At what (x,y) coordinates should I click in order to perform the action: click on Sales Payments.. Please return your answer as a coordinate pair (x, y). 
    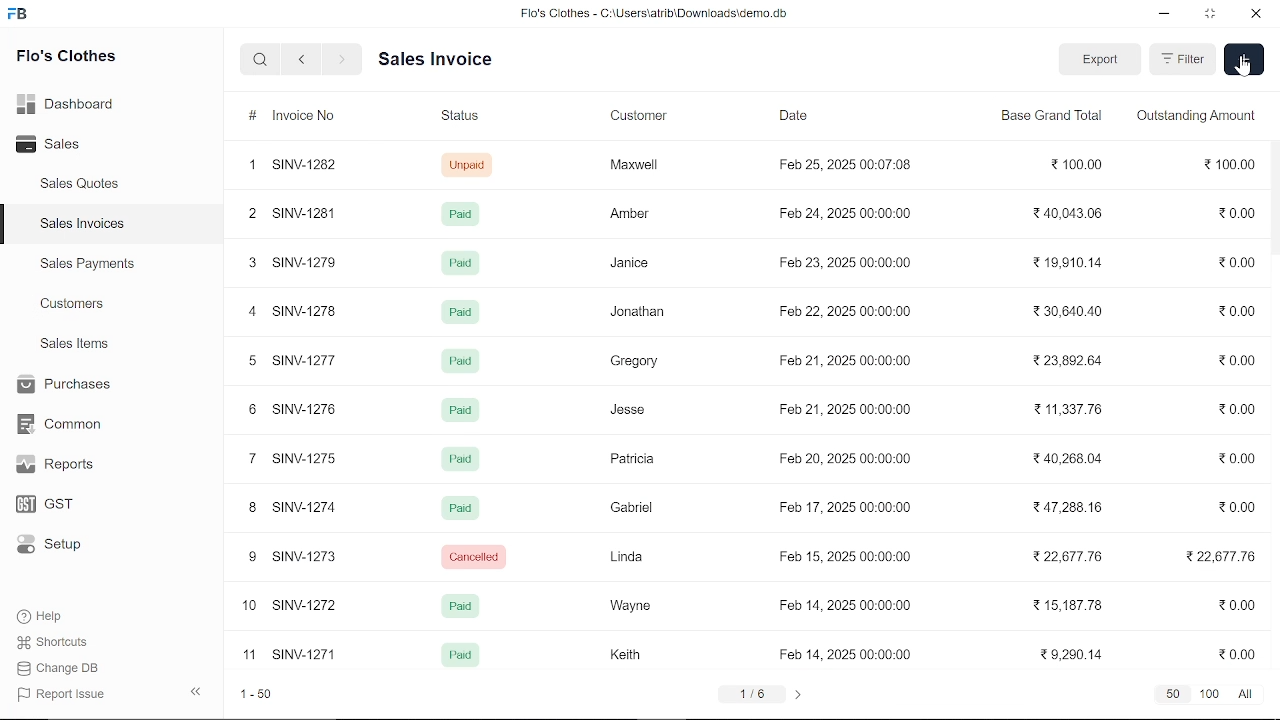
    Looking at the image, I should click on (86, 264).